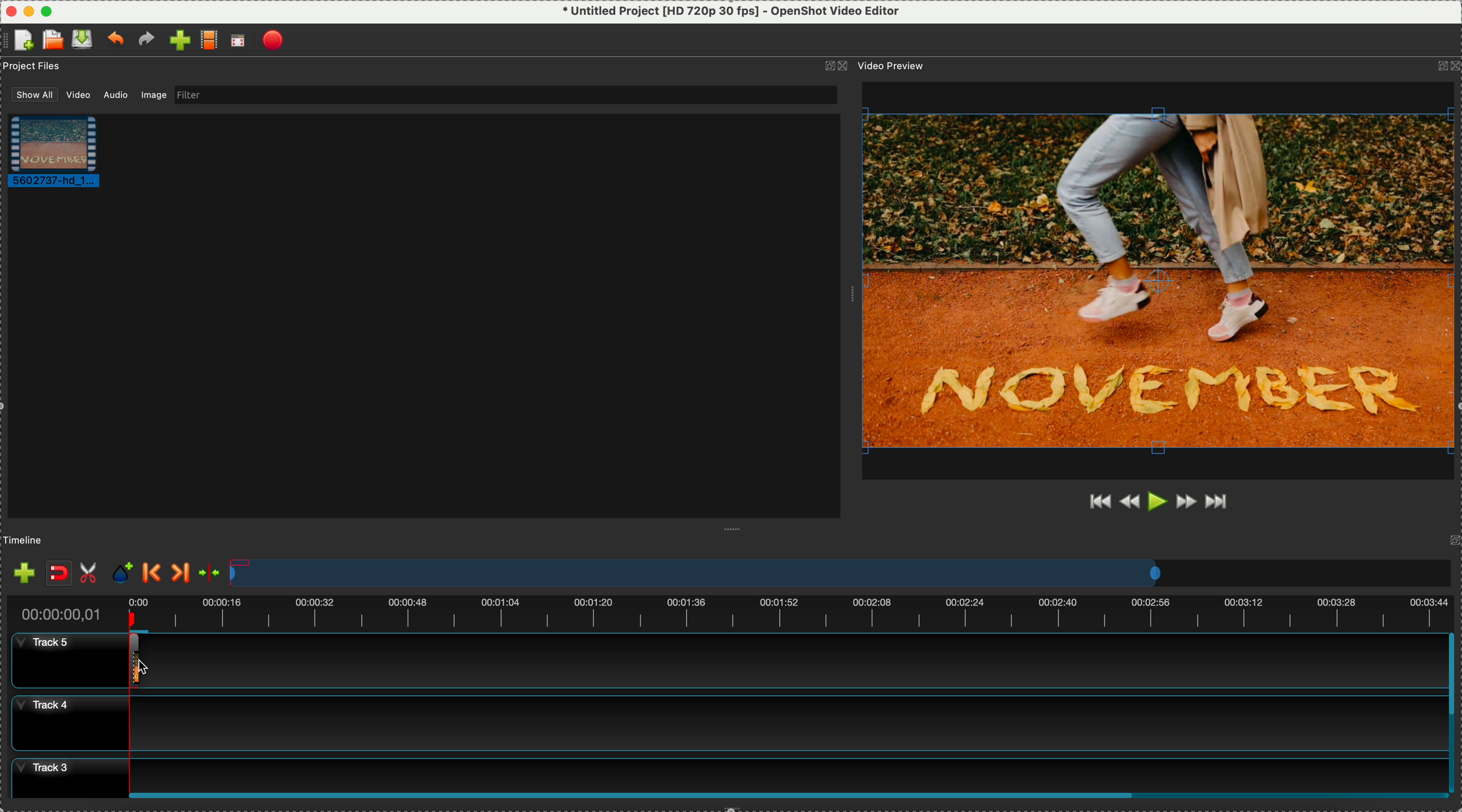 The image size is (1462, 812). I want to click on minimize, so click(28, 10).